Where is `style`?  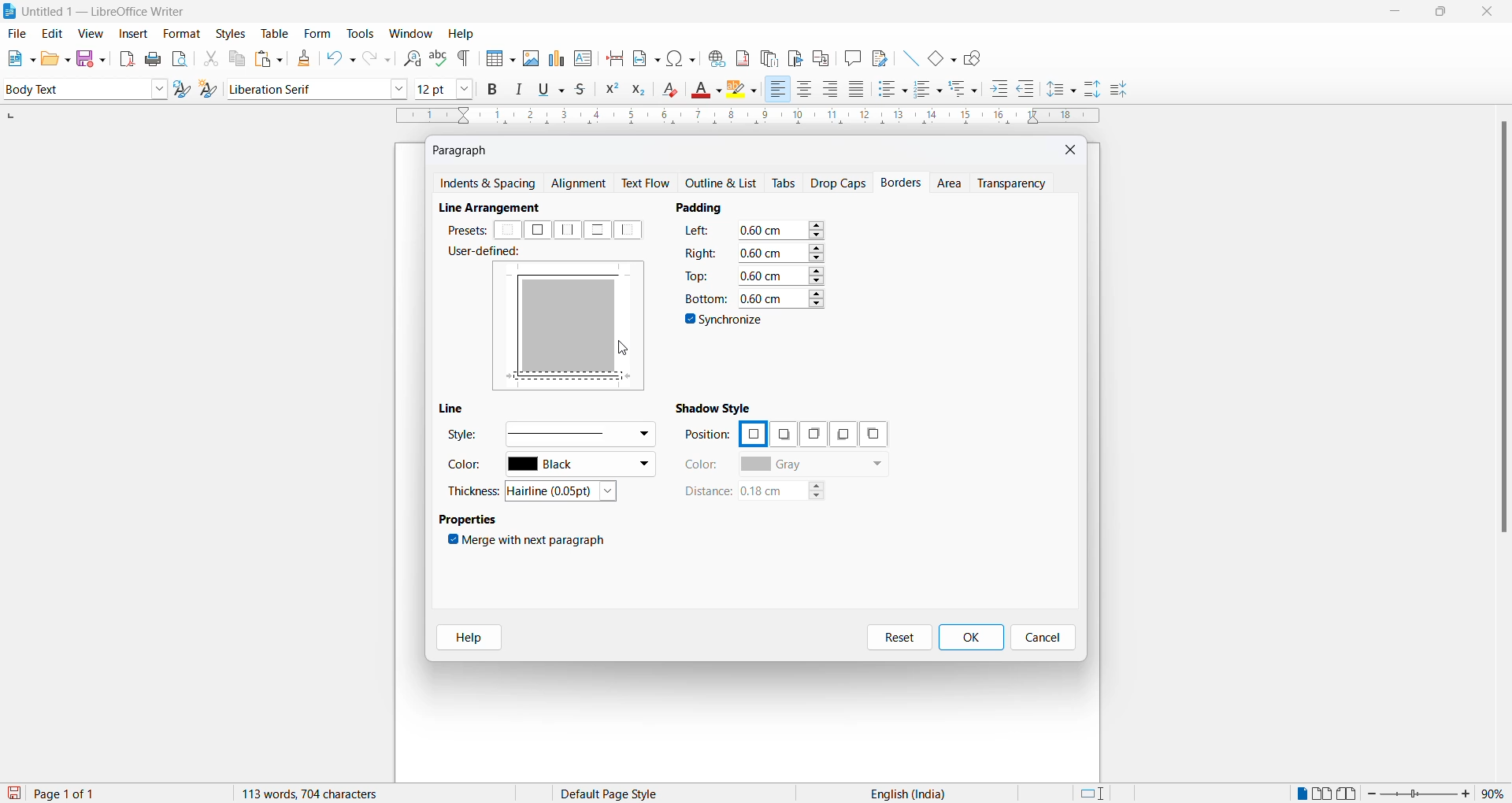
style is located at coordinates (72, 88).